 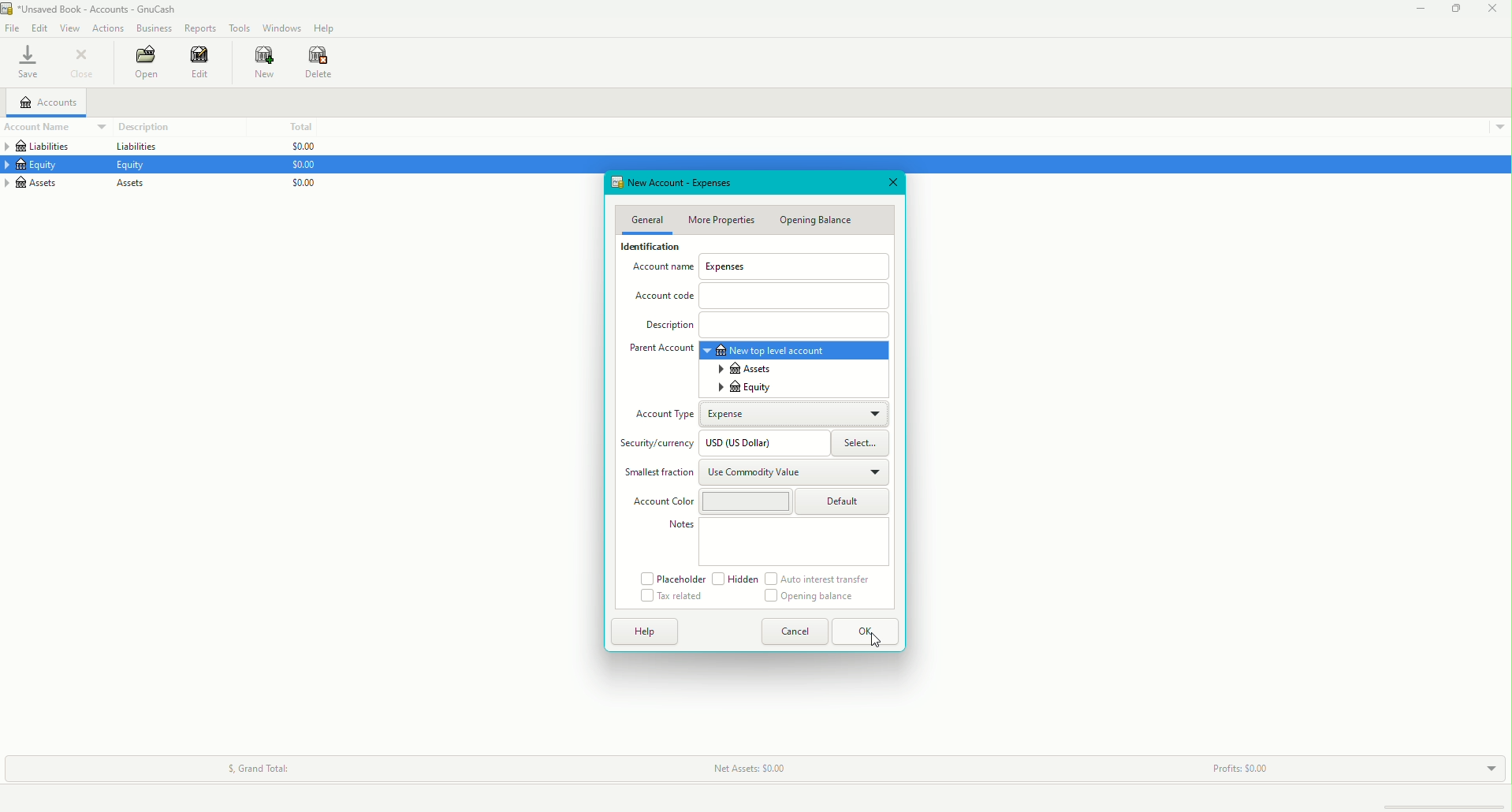 I want to click on Account Name, so click(x=47, y=127).